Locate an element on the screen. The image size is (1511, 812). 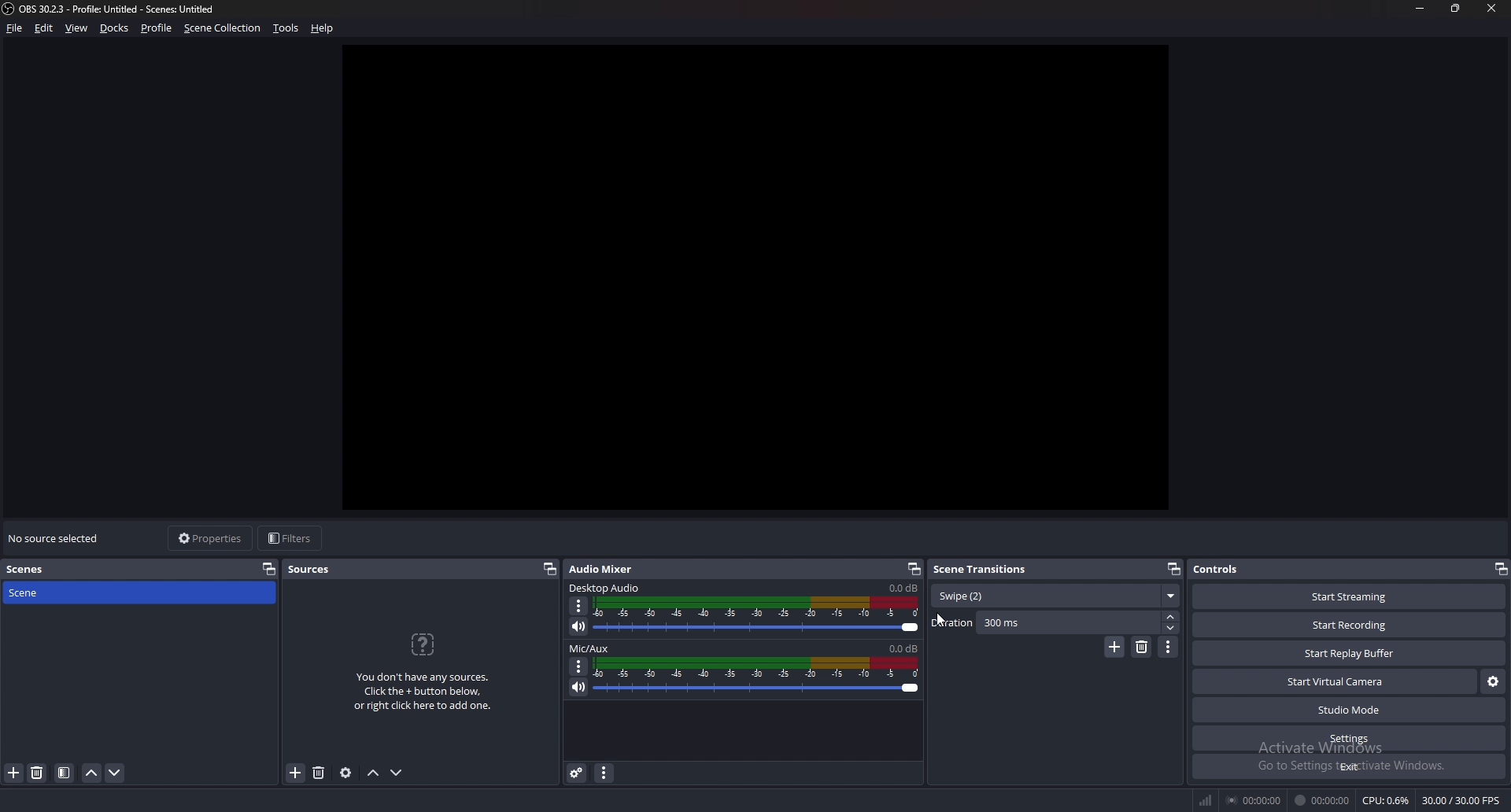
30.00 /30.00 FPS is located at coordinates (1461, 800).